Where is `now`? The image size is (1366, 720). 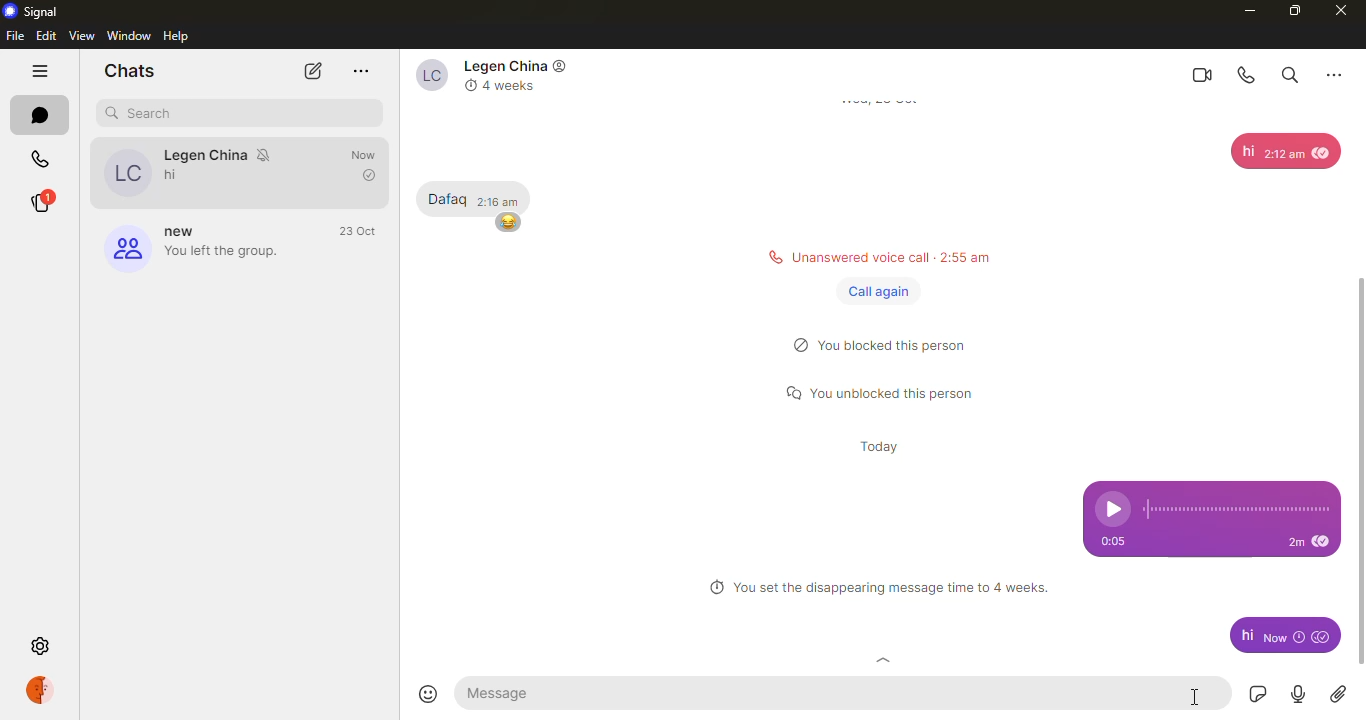 now is located at coordinates (366, 164).